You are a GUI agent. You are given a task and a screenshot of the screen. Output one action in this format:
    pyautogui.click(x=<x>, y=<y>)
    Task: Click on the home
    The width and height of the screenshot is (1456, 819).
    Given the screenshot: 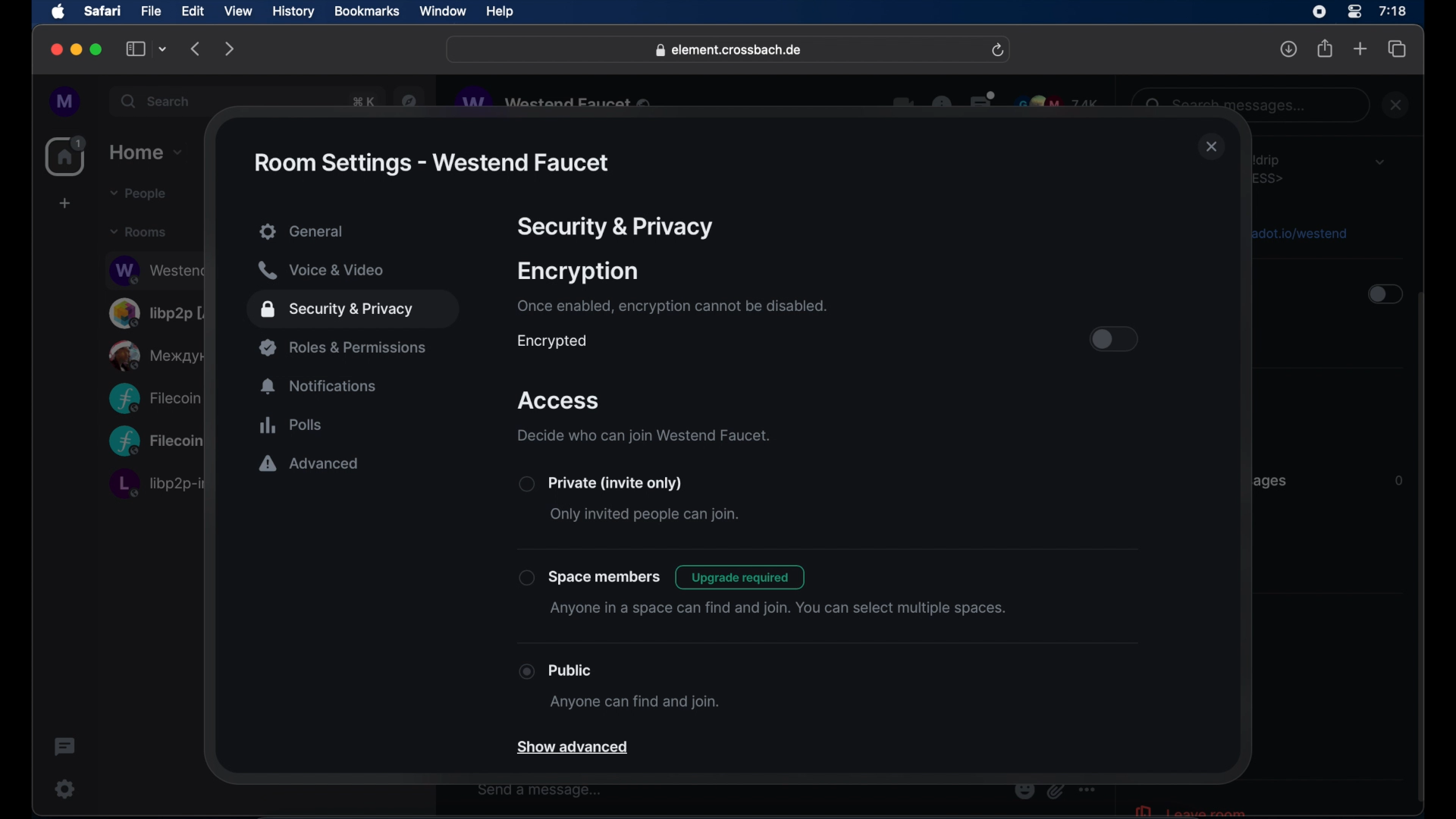 What is the action you would take?
    pyautogui.click(x=67, y=156)
    